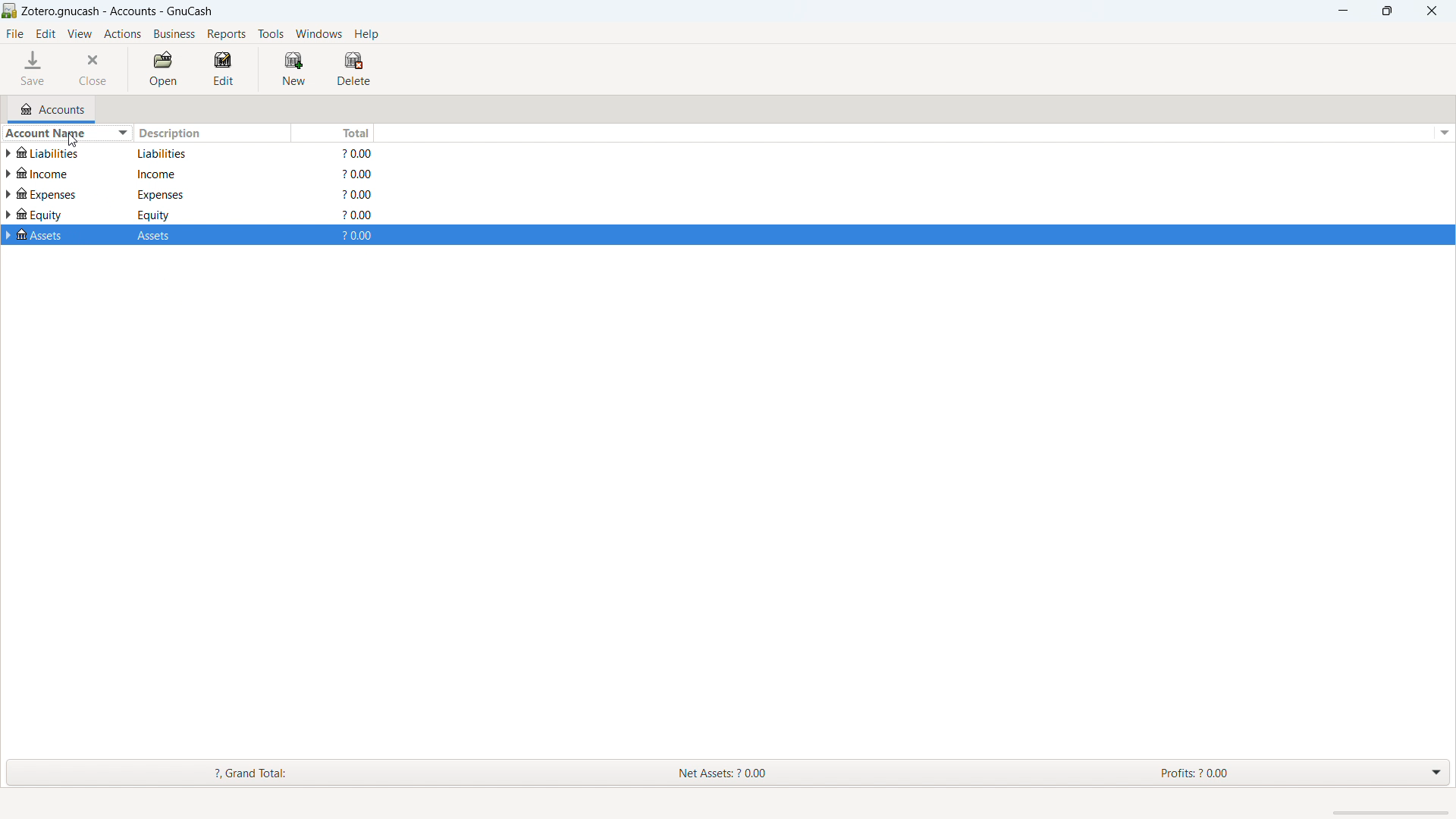 The width and height of the screenshot is (1456, 819). Describe the element at coordinates (354, 69) in the screenshot. I see `delete` at that location.